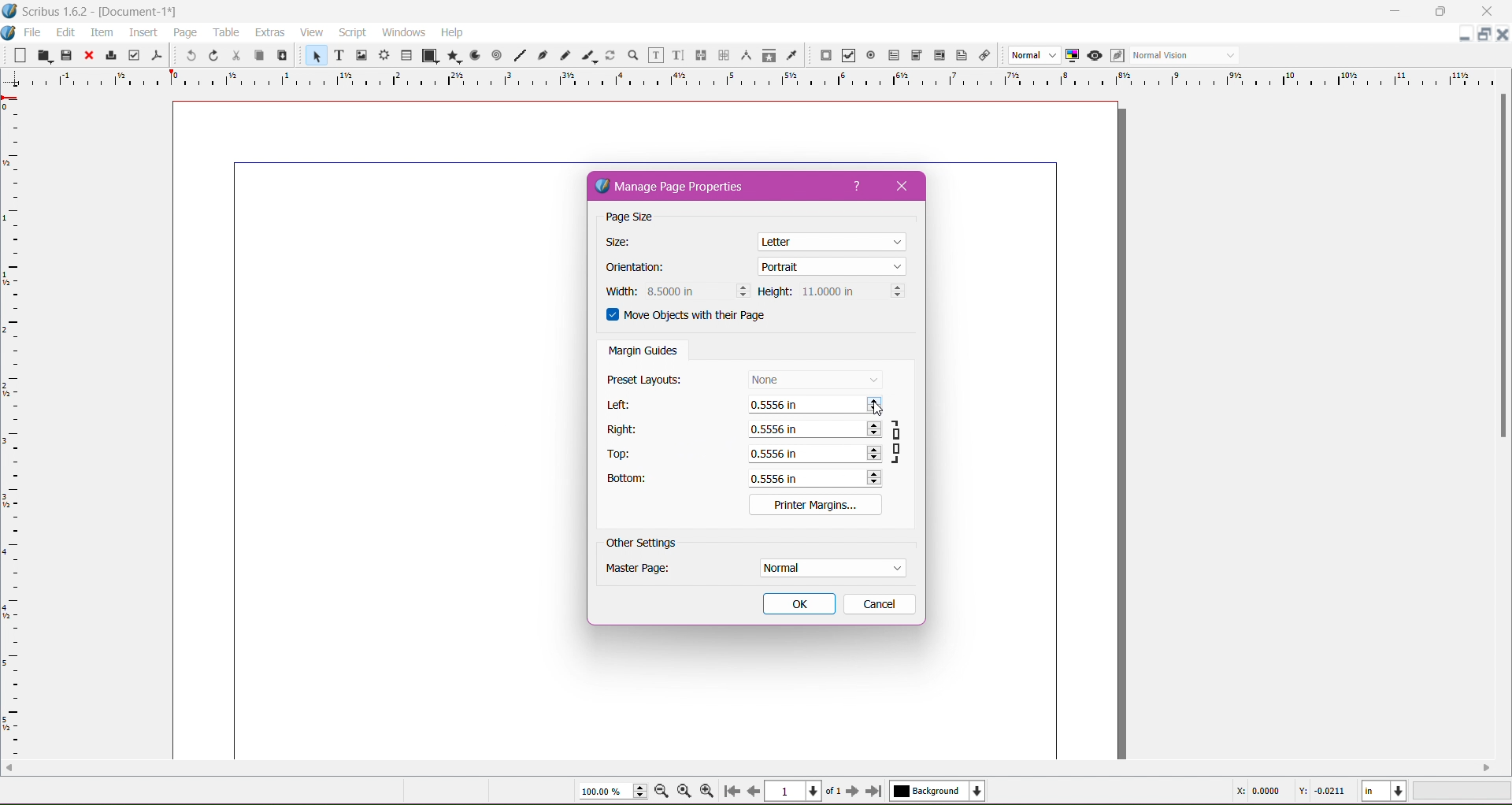 This screenshot has width=1512, height=805. Describe the element at coordinates (451, 57) in the screenshot. I see `Polygon` at that location.